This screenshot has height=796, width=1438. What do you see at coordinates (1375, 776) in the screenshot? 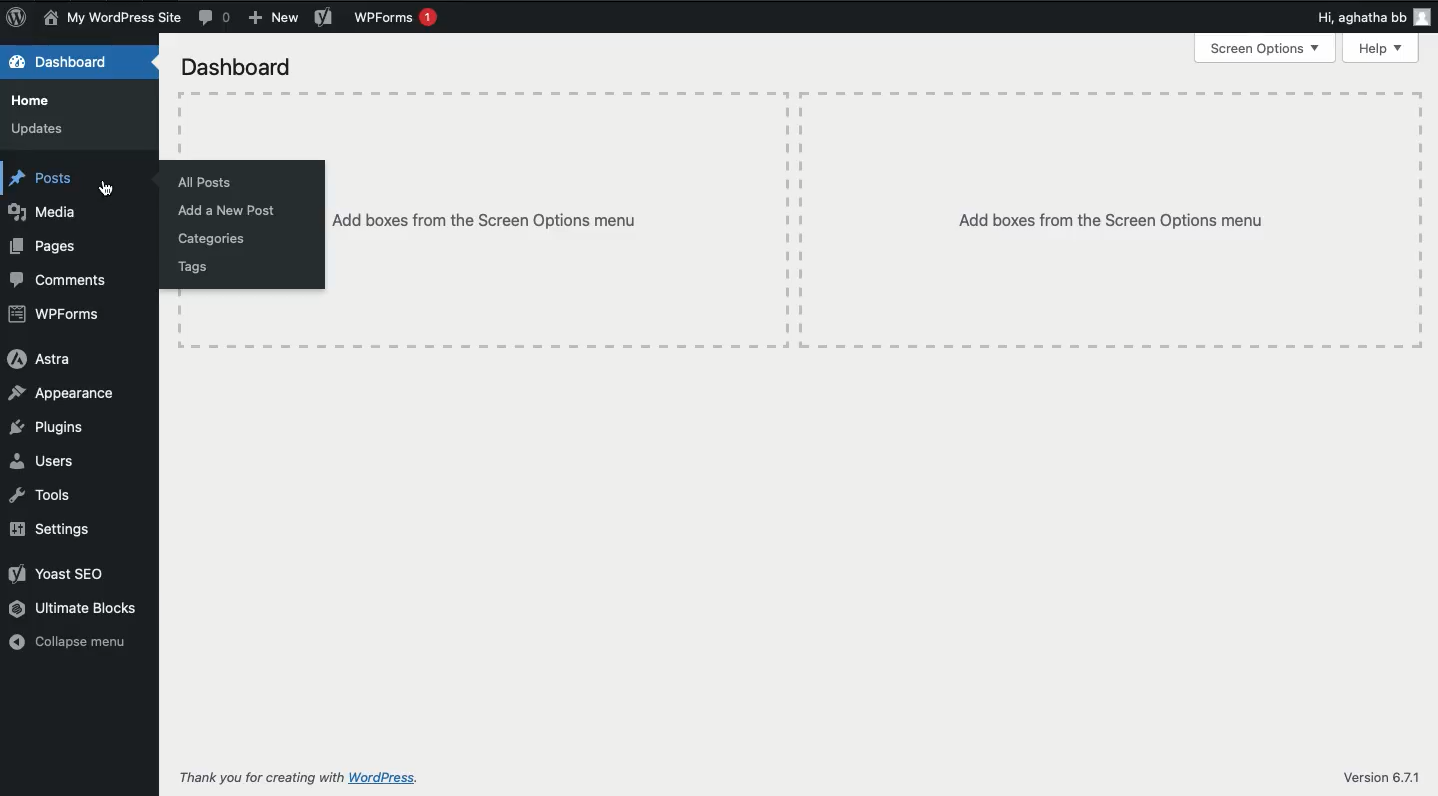
I see `Version 6.7.1` at bounding box center [1375, 776].